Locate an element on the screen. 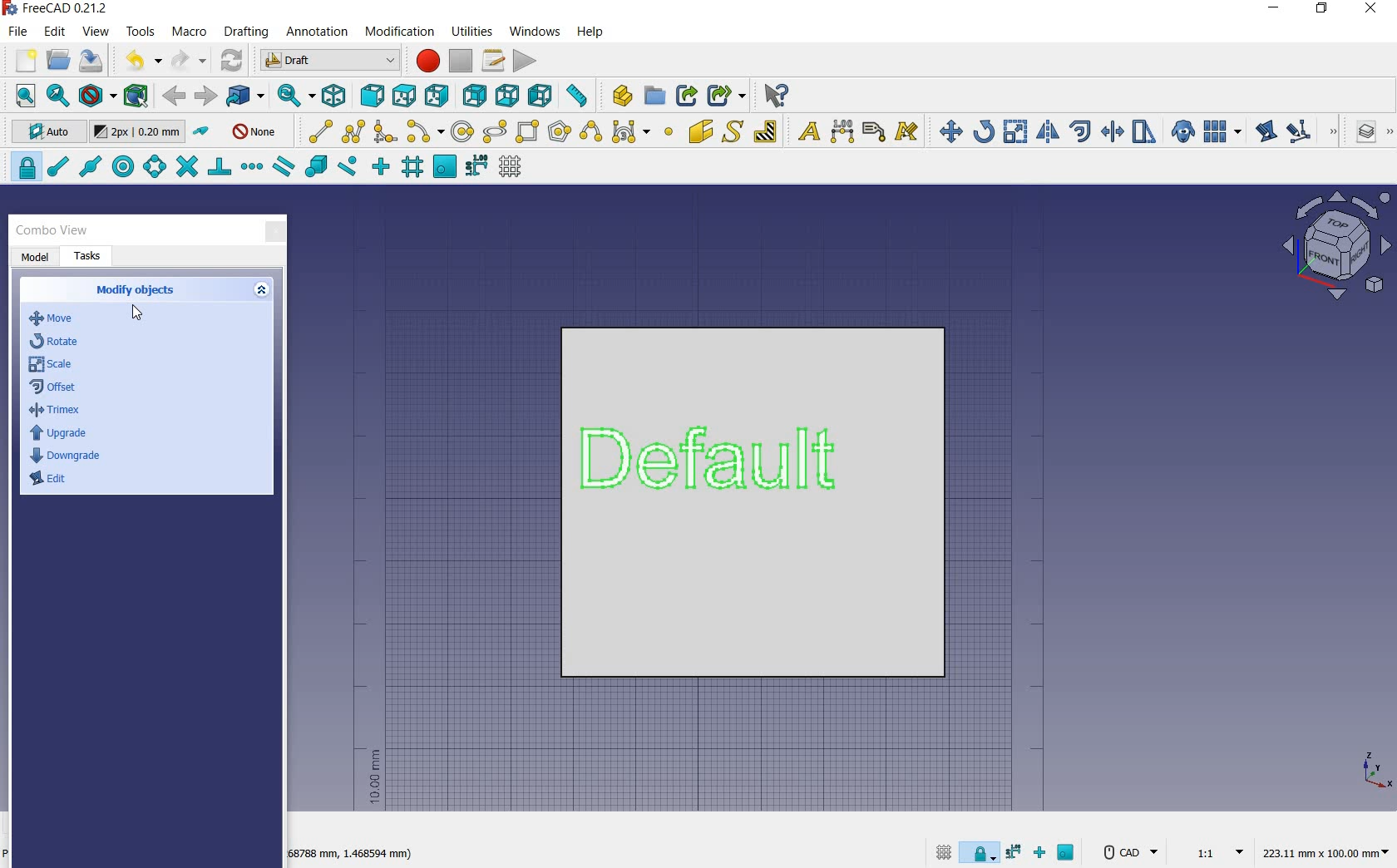 This screenshot has height=868, width=1397. view is located at coordinates (96, 32).